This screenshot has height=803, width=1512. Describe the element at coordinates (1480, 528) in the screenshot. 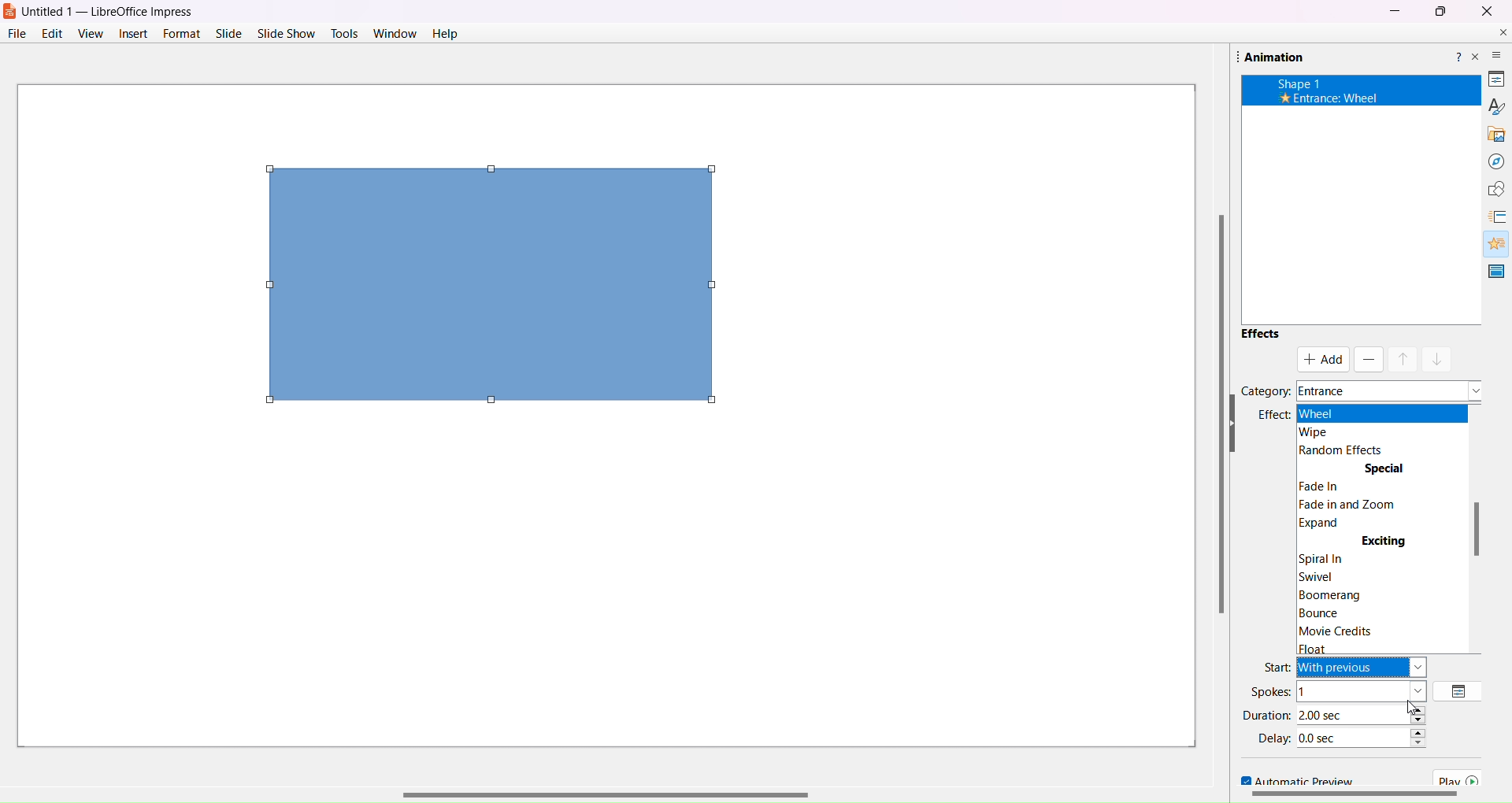

I see `Scroll Bar` at that location.